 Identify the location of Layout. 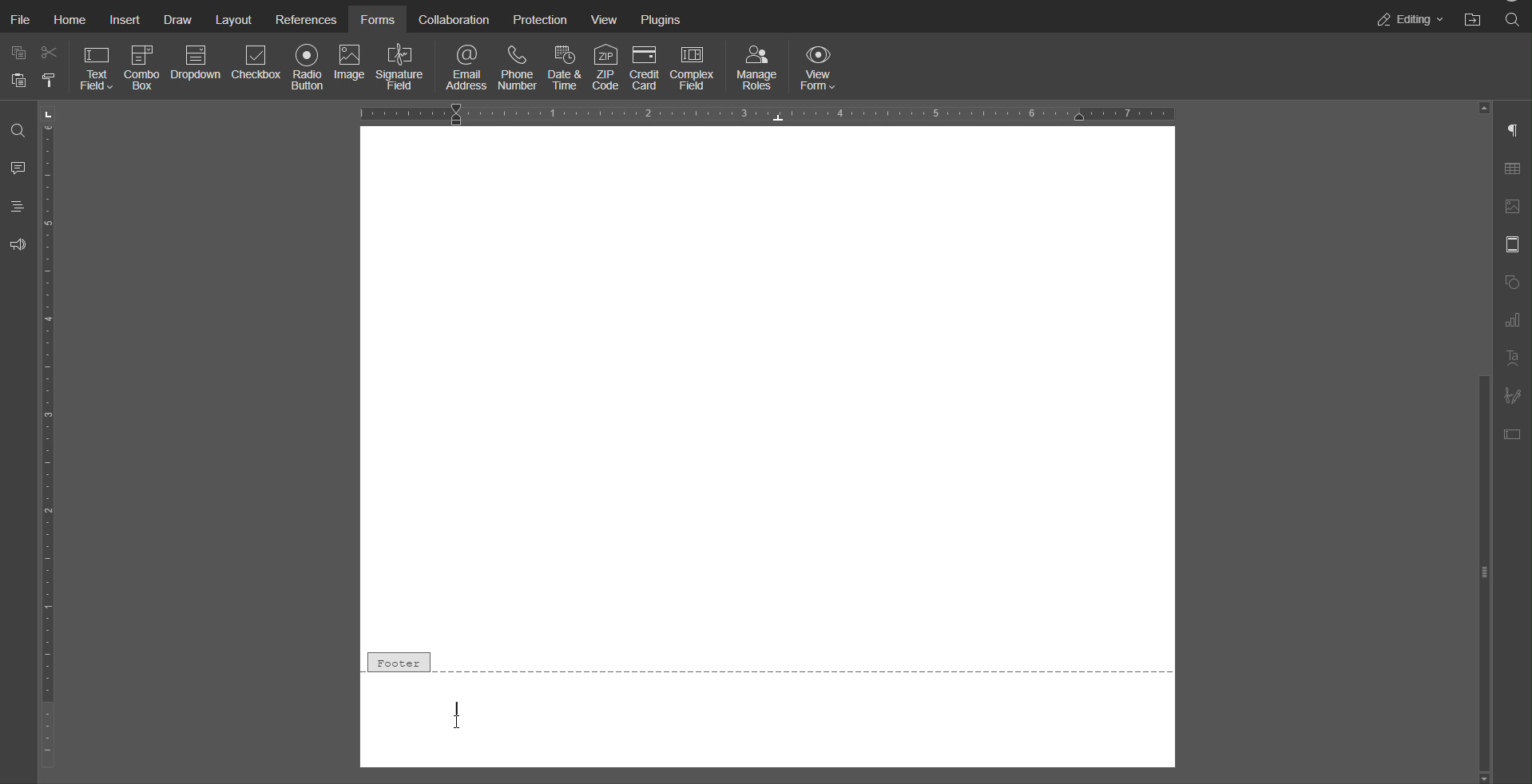
(234, 18).